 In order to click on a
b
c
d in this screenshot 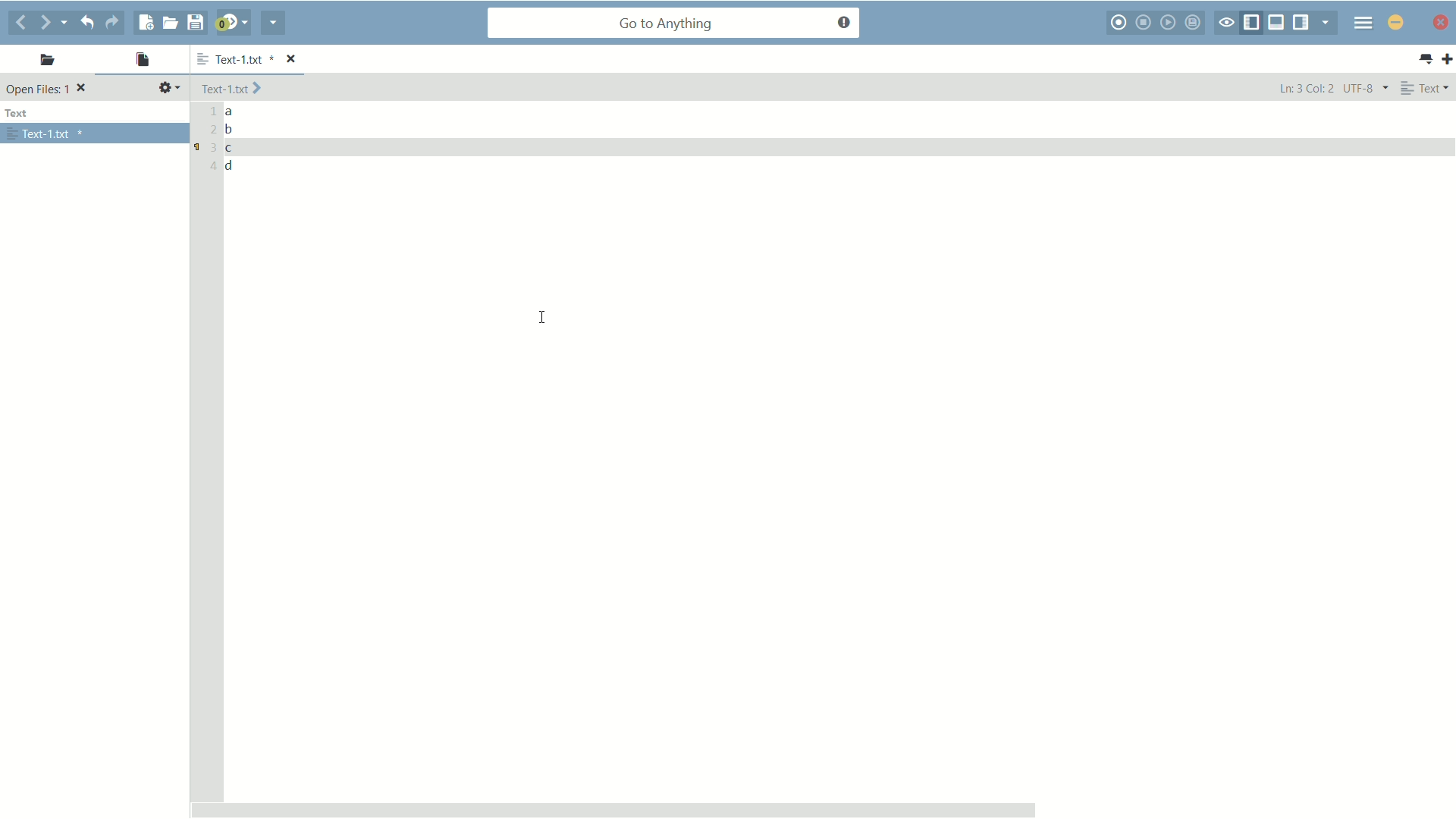, I will do `click(232, 140)`.